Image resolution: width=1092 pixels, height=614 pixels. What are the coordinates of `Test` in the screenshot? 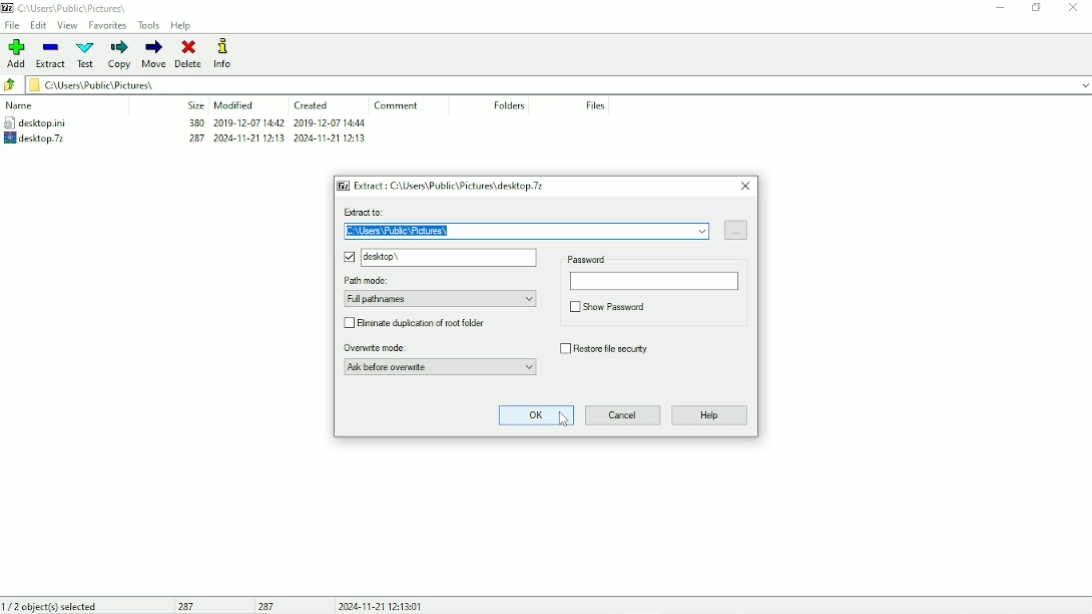 It's located at (86, 55).